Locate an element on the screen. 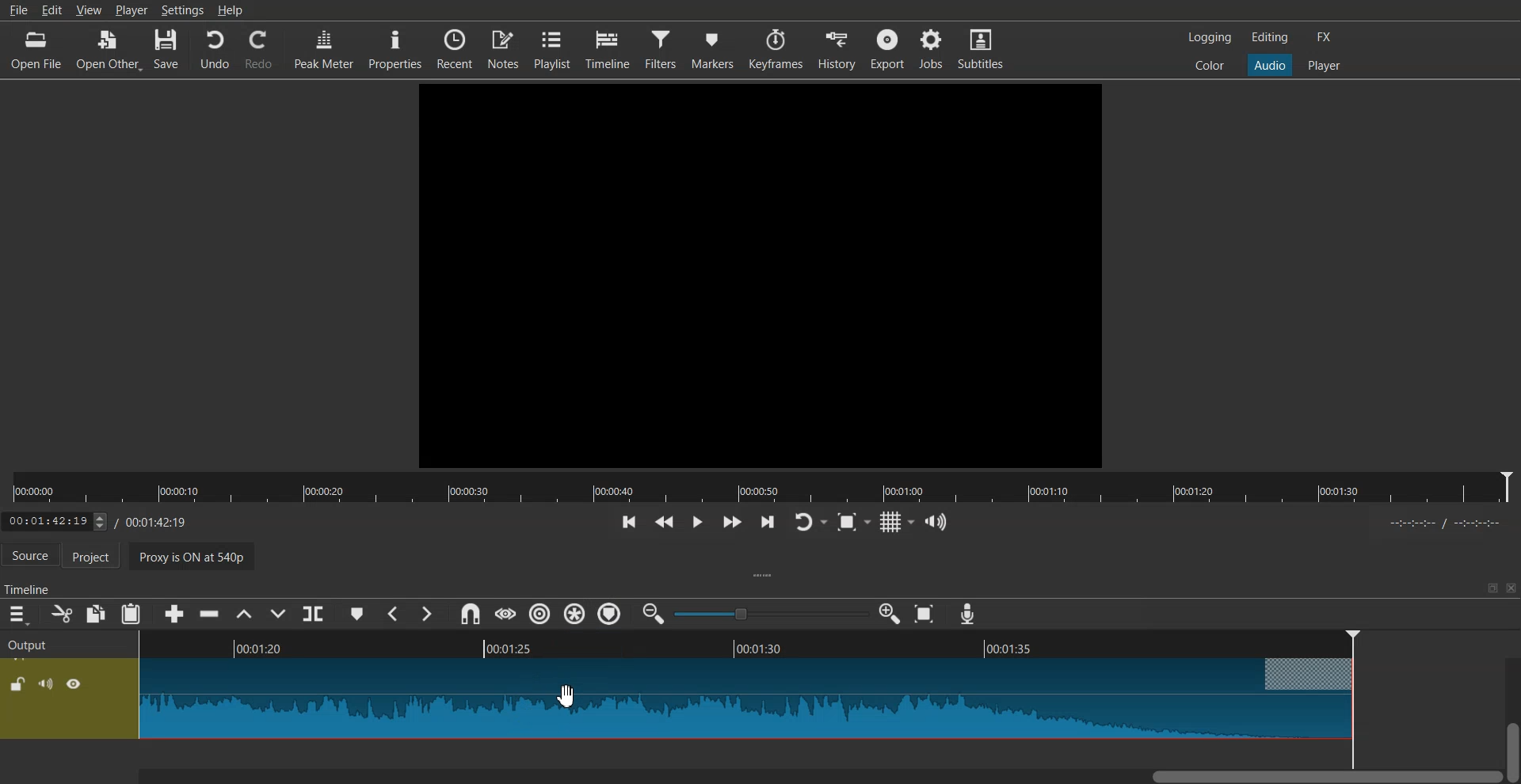  Switch to the Editing layout is located at coordinates (1273, 36).